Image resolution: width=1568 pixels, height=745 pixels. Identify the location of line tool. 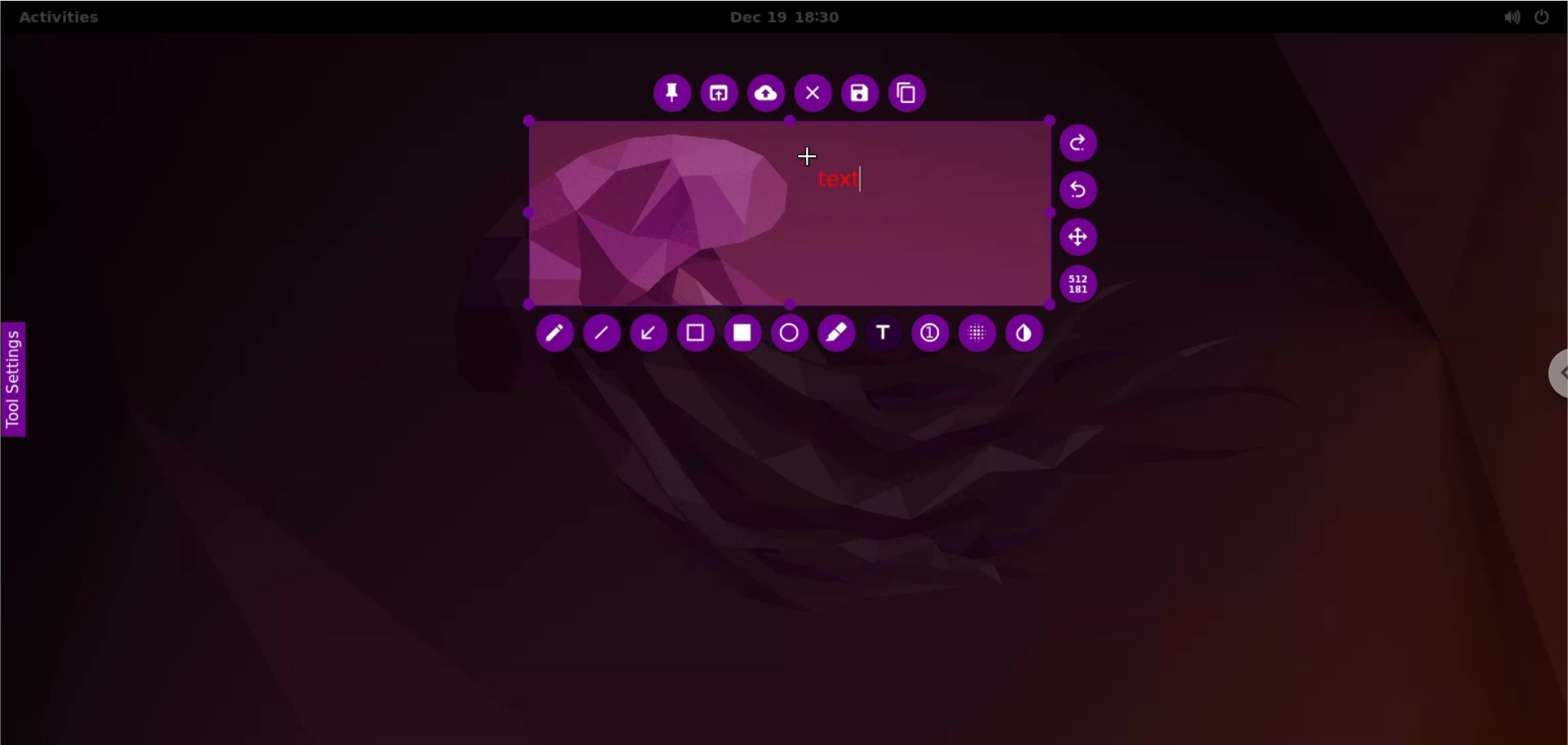
(602, 335).